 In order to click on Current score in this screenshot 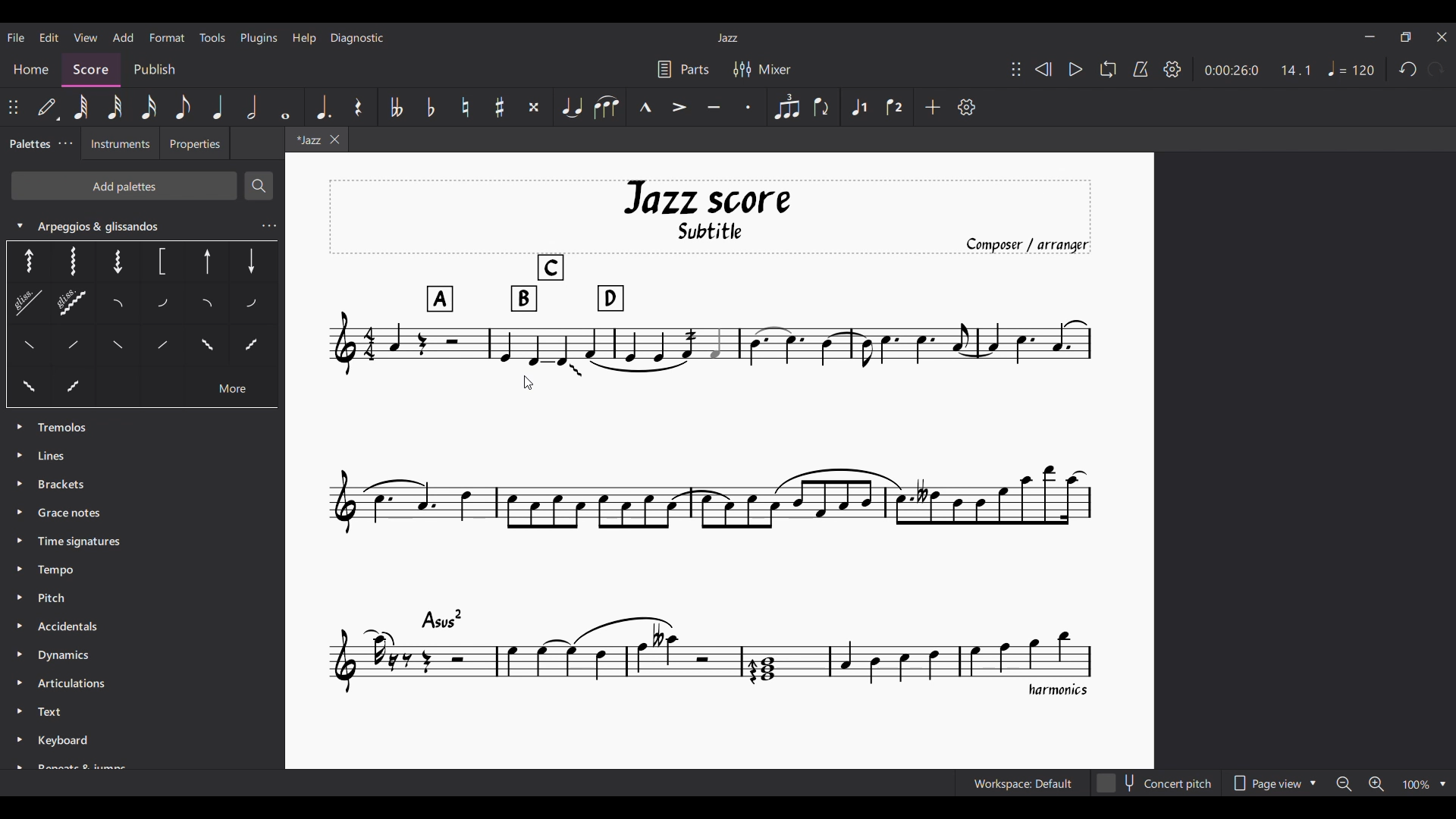, I will do `click(713, 440)`.